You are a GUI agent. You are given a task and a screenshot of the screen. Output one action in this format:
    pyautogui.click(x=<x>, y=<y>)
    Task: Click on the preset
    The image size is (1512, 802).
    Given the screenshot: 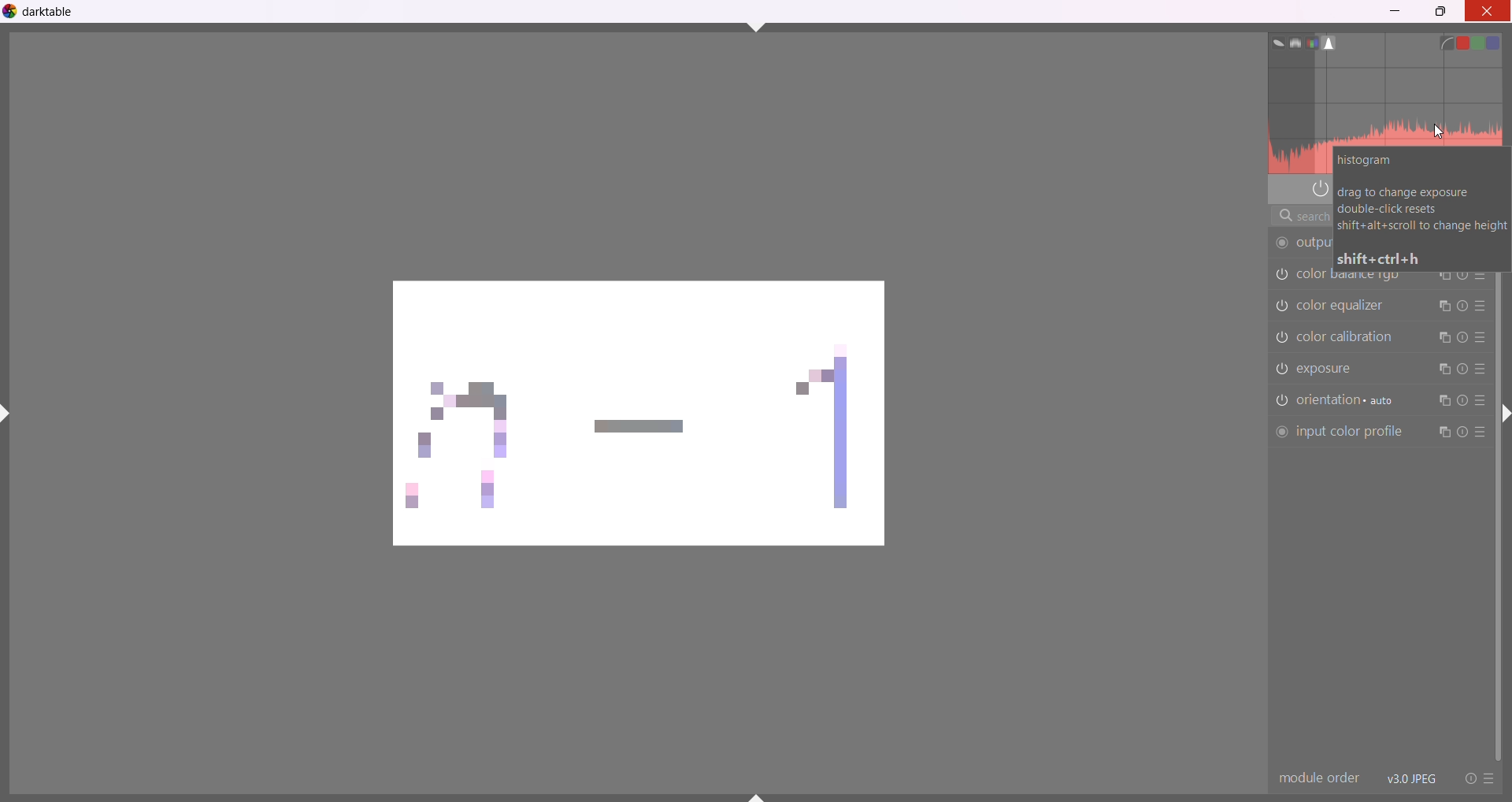 What is the action you would take?
    pyautogui.click(x=1489, y=779)
    